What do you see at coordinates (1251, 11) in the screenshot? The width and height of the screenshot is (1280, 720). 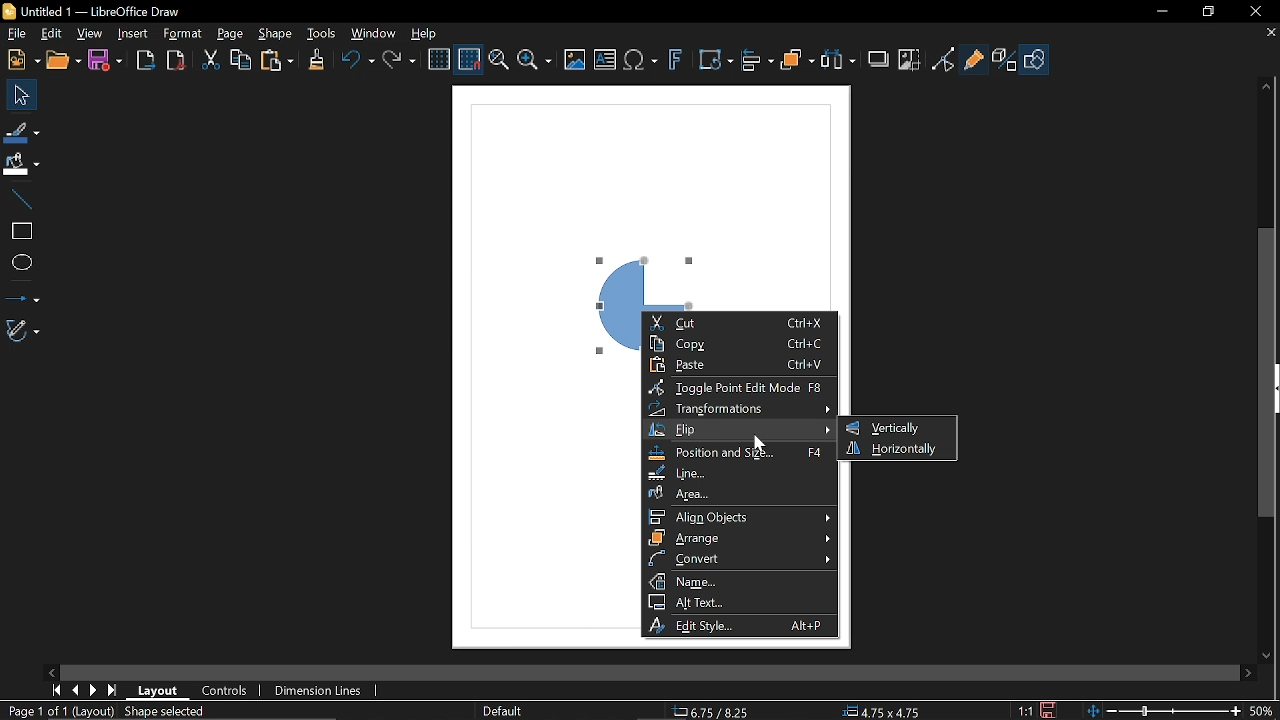 I see `Close` at bounding box center [1251, 11].